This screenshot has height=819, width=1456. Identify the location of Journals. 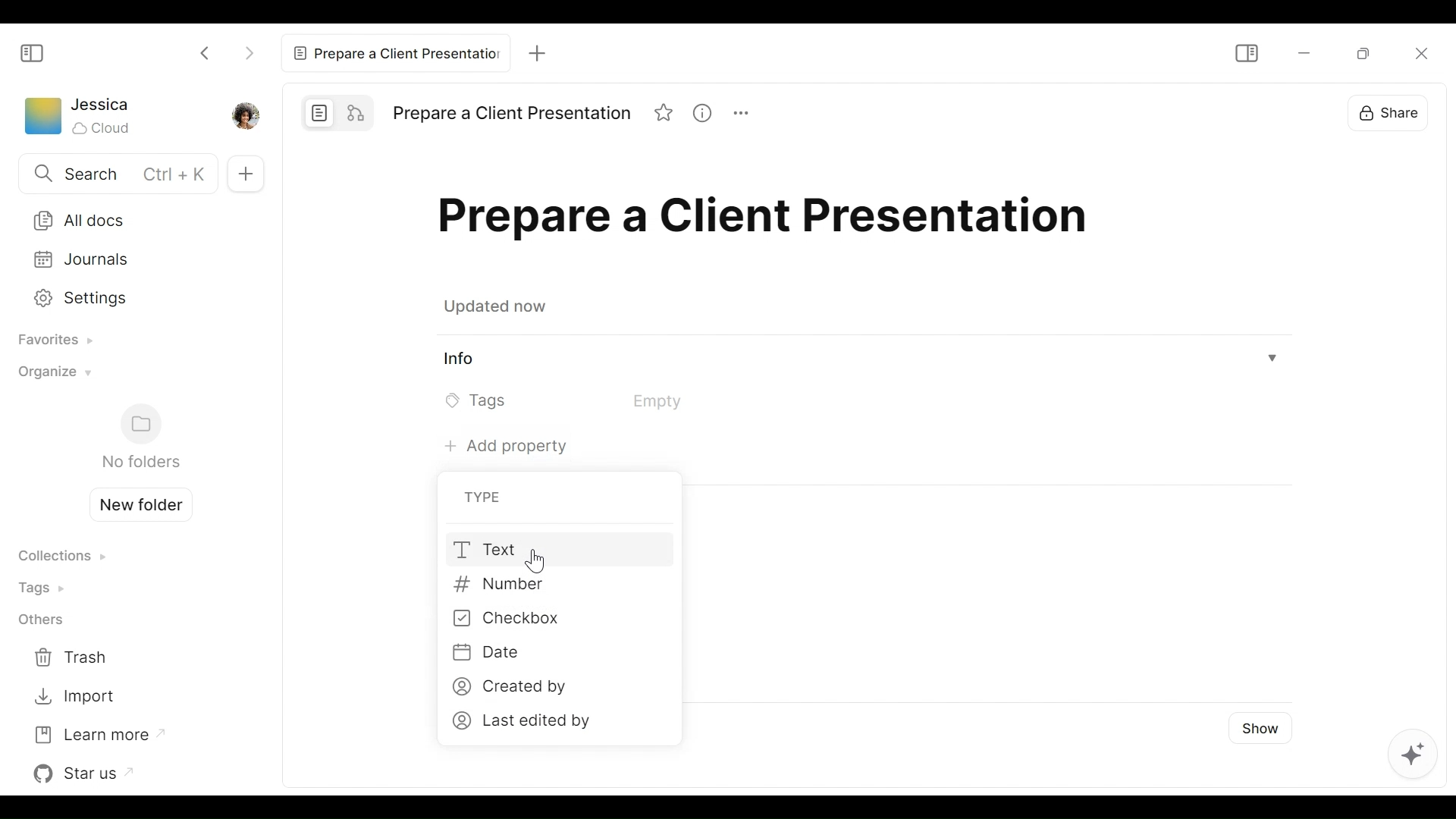
(130, 259).